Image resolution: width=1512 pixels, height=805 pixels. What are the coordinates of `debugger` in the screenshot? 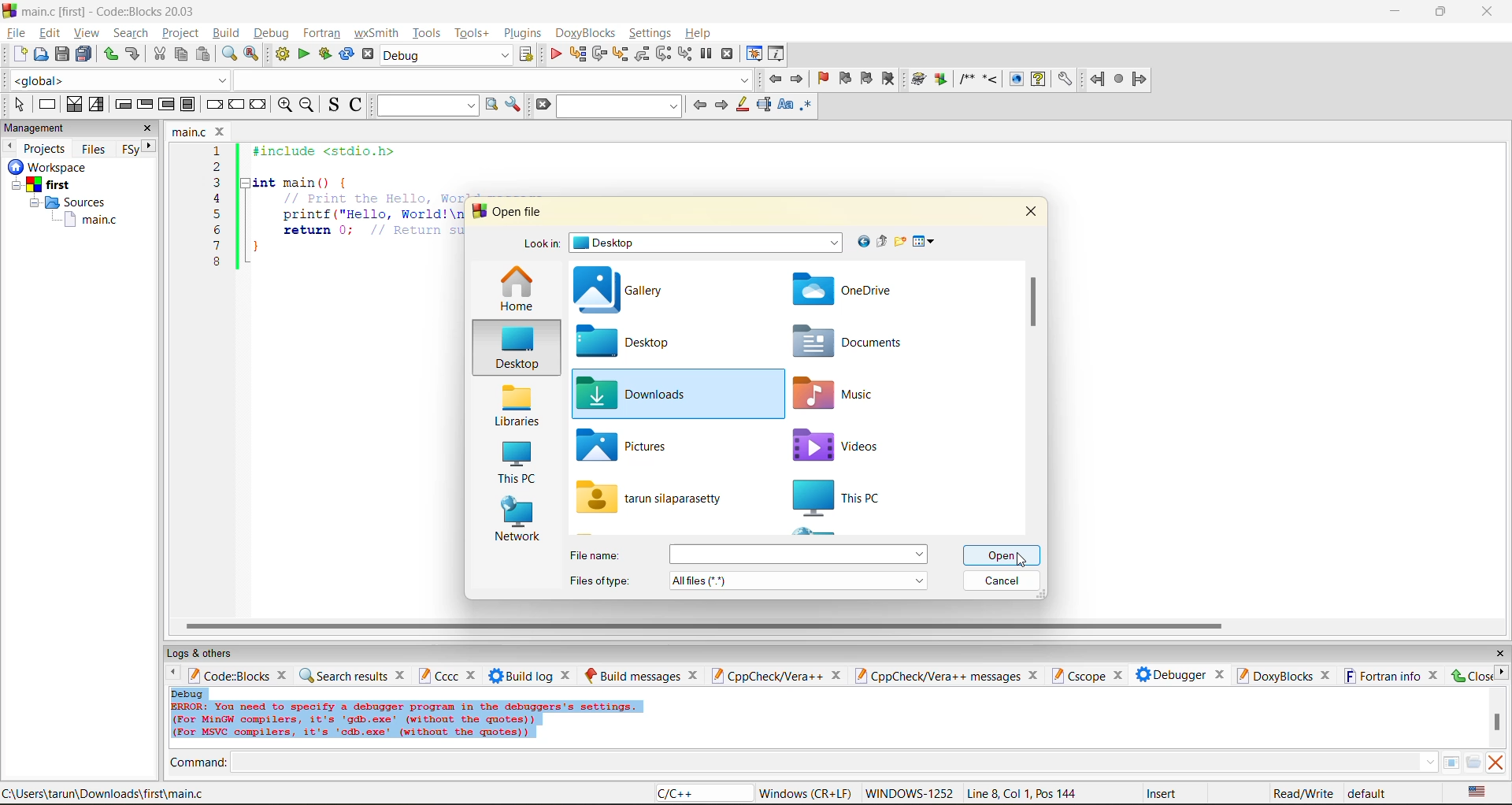 It's located at (1170, 674).